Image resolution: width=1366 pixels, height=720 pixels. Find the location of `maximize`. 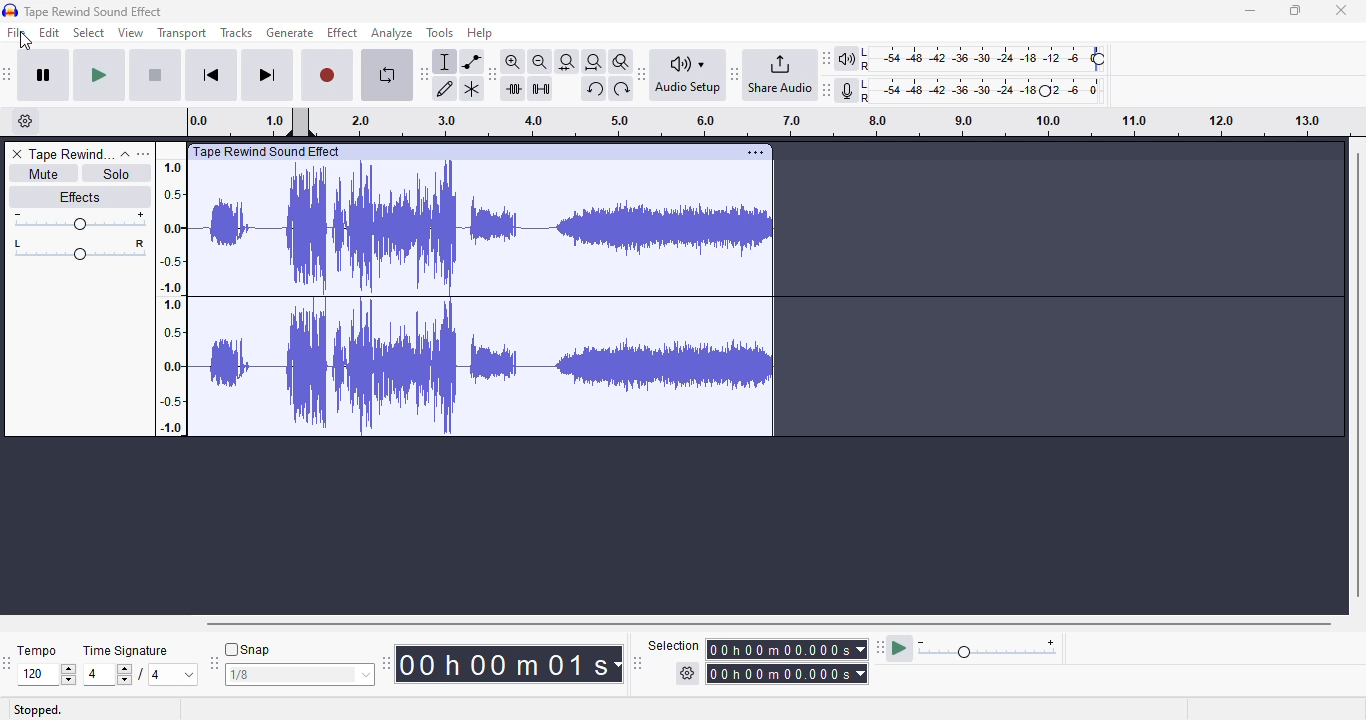

maximize is located at coordinates (1297, 11).